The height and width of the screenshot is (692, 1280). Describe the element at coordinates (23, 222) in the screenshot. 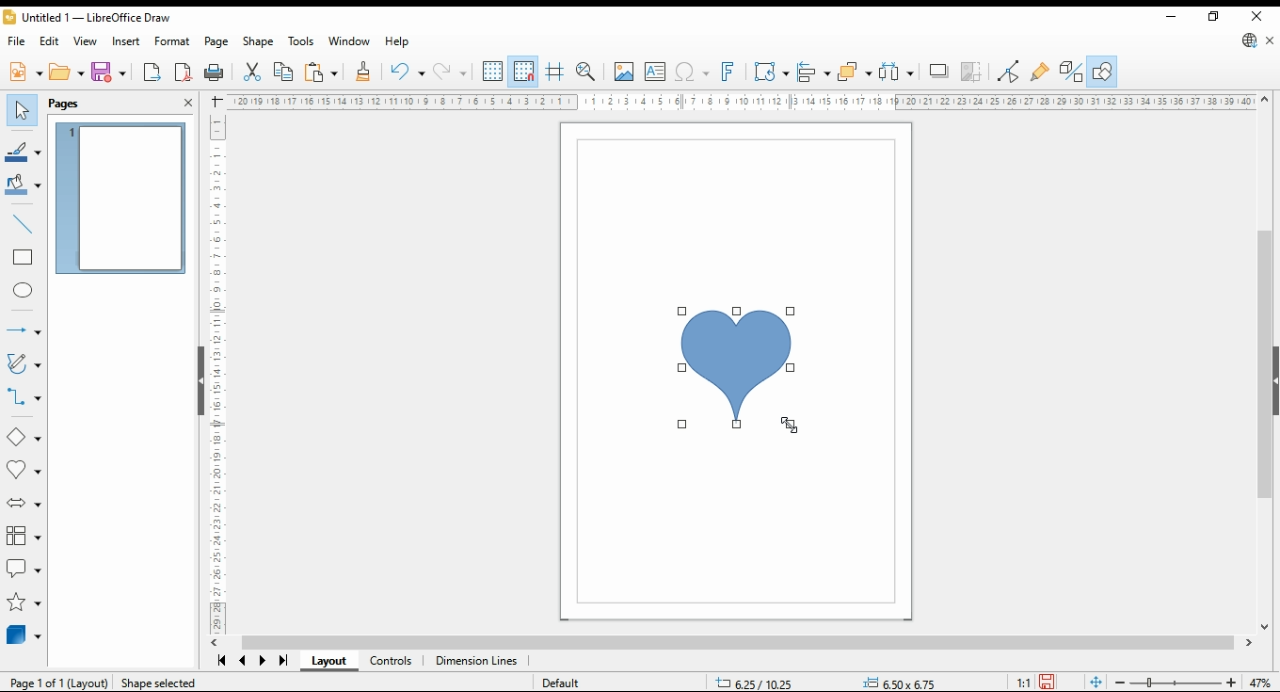

I see `insert line` at that location.